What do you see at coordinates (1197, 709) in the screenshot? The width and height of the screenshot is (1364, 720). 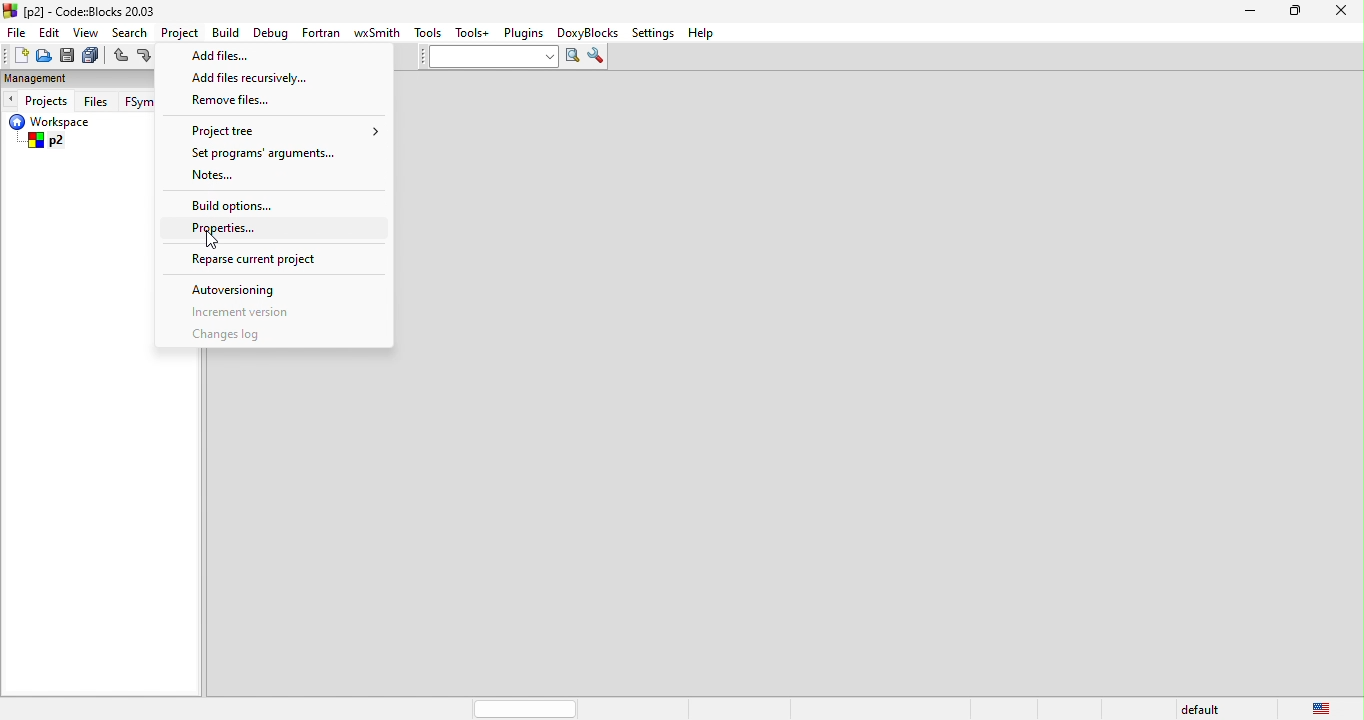 I see `default` at bounding box center [1197, 709].